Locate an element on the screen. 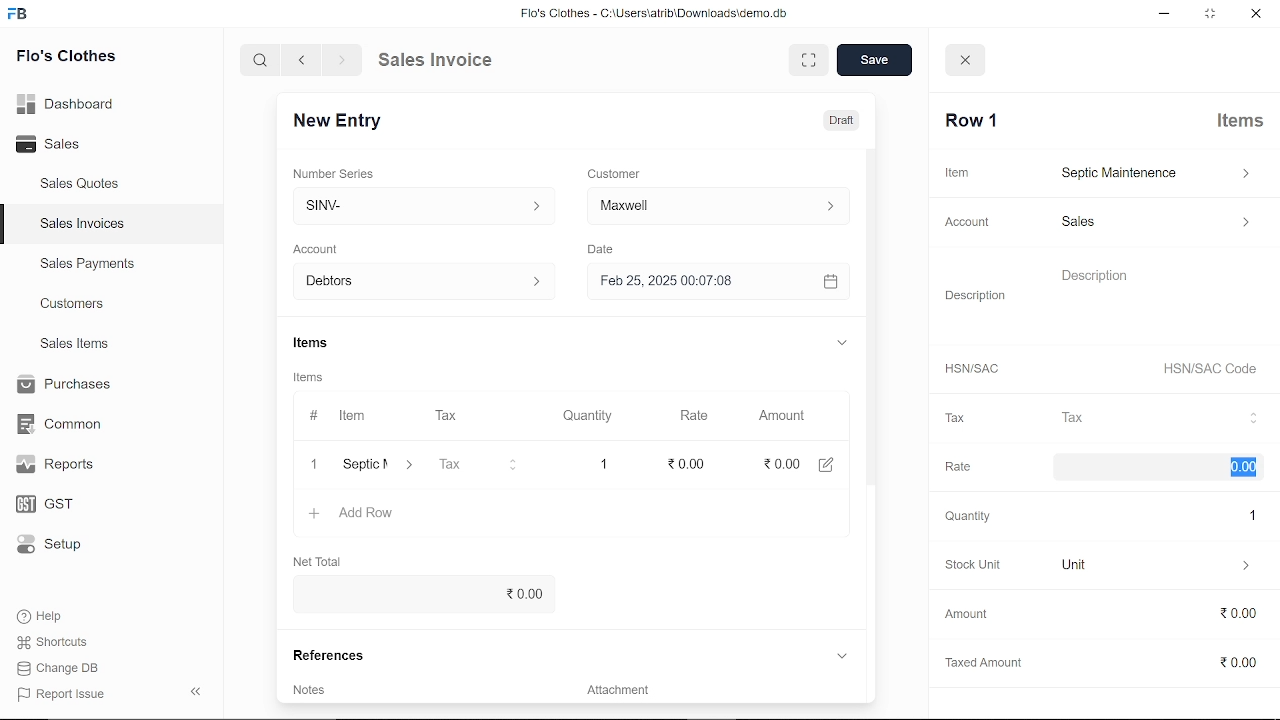 Image resolution: width=1280 pixels, height=720 pixels. HSNISAC is located at coordinates (972, 369).